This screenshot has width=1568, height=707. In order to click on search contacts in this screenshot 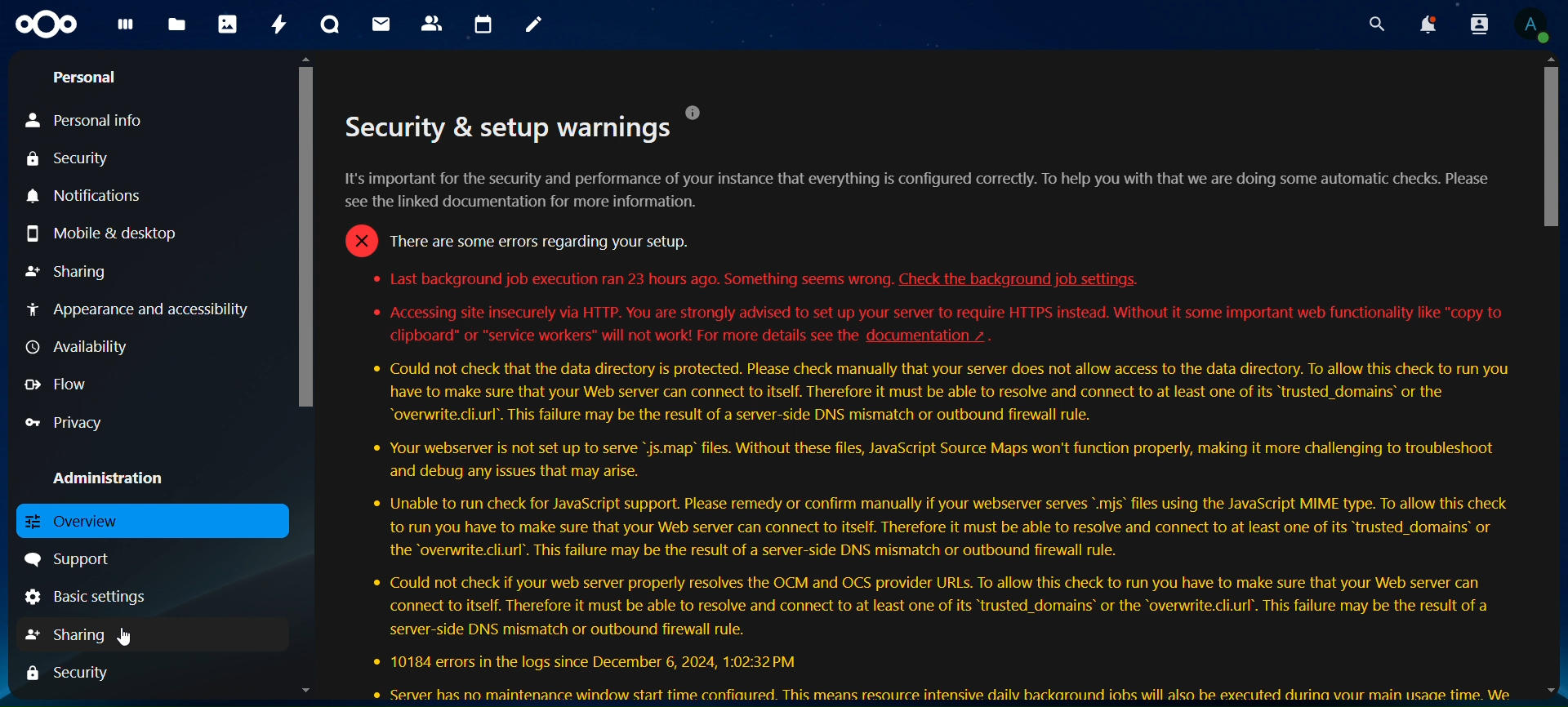, I will do `click(1478, 25)`.